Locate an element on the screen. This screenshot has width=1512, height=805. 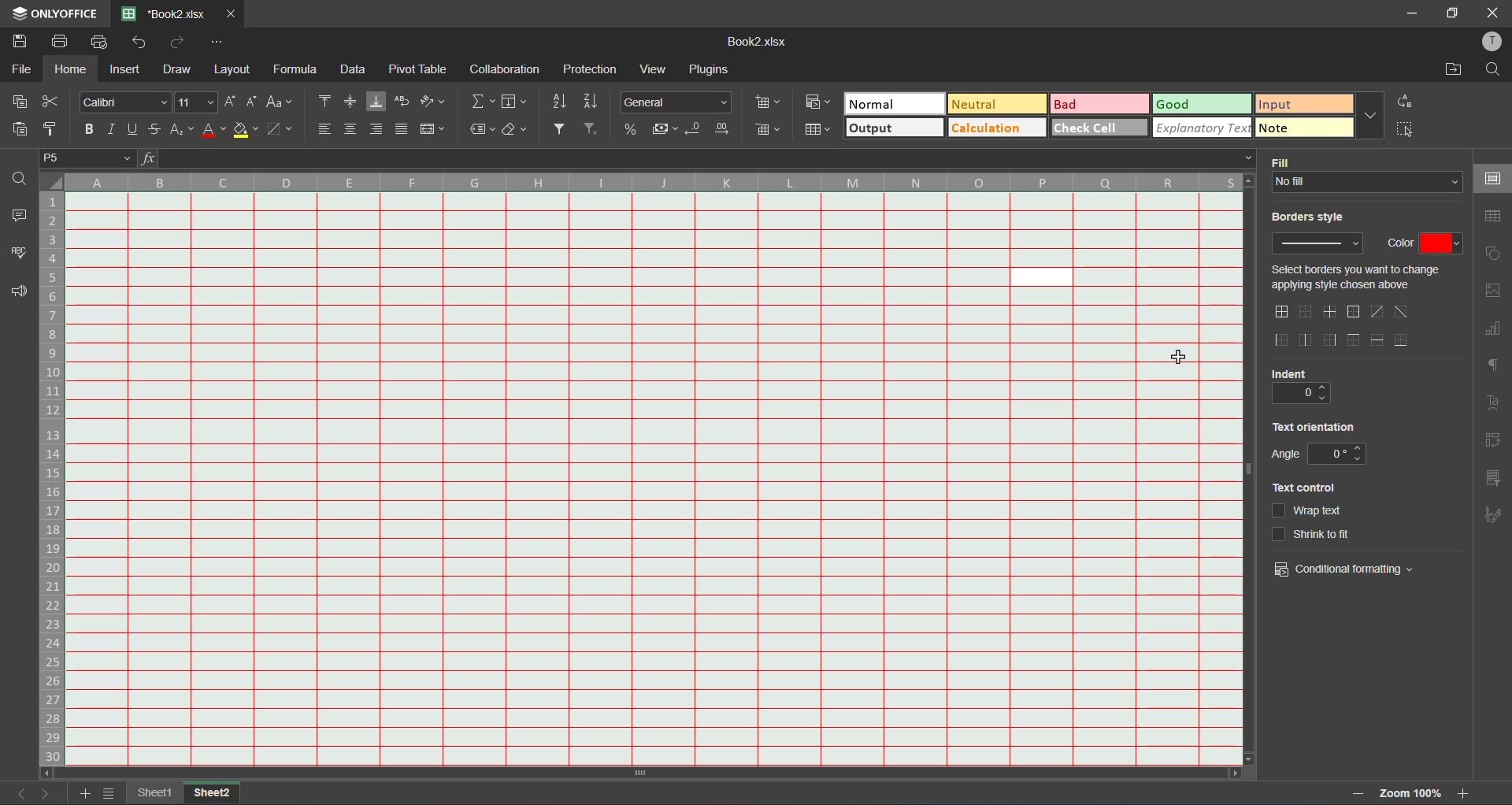
comments is located at coordinates (20, 214).